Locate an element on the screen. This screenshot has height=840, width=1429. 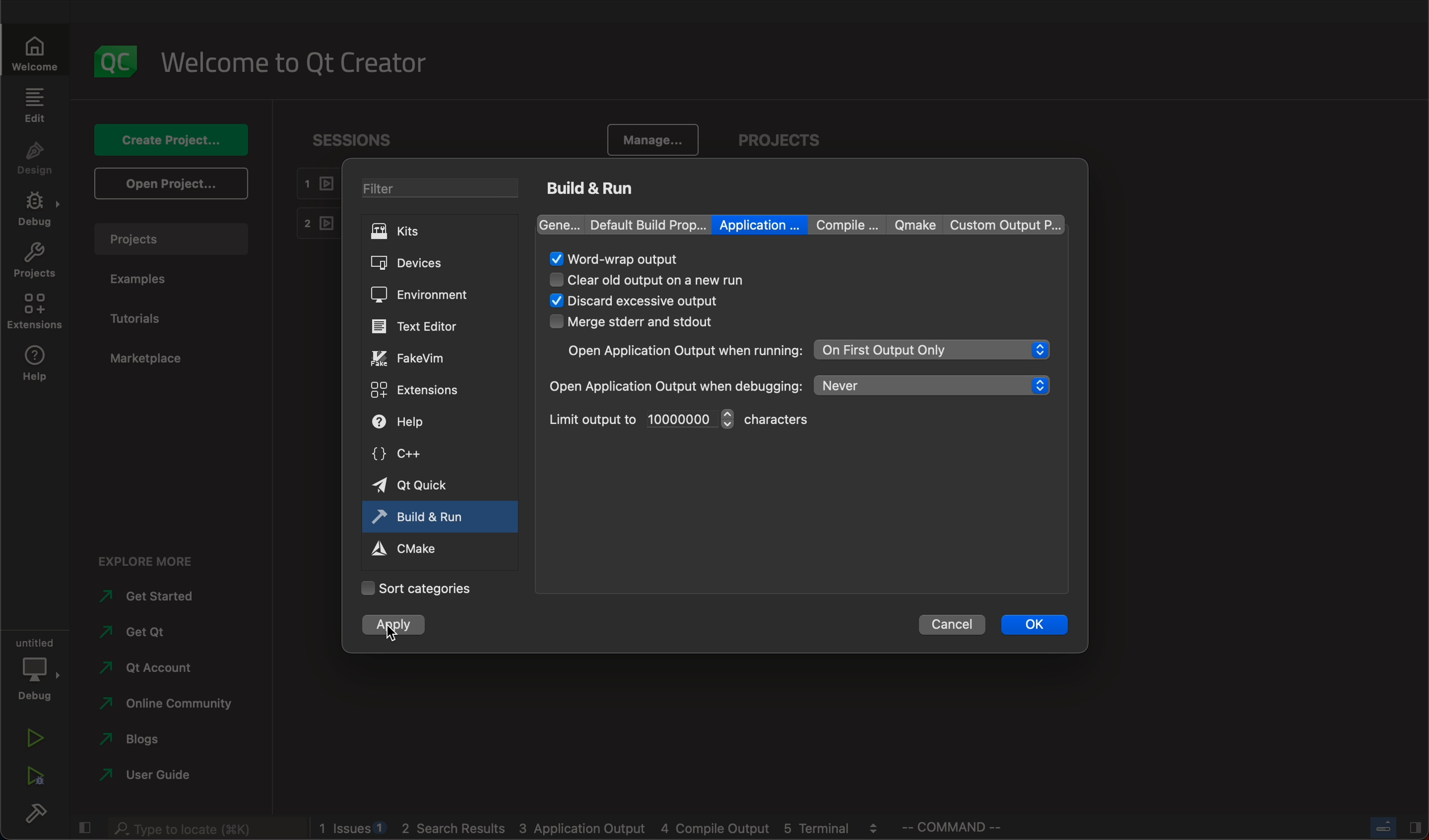
projects is located at coordinates (779, 130).